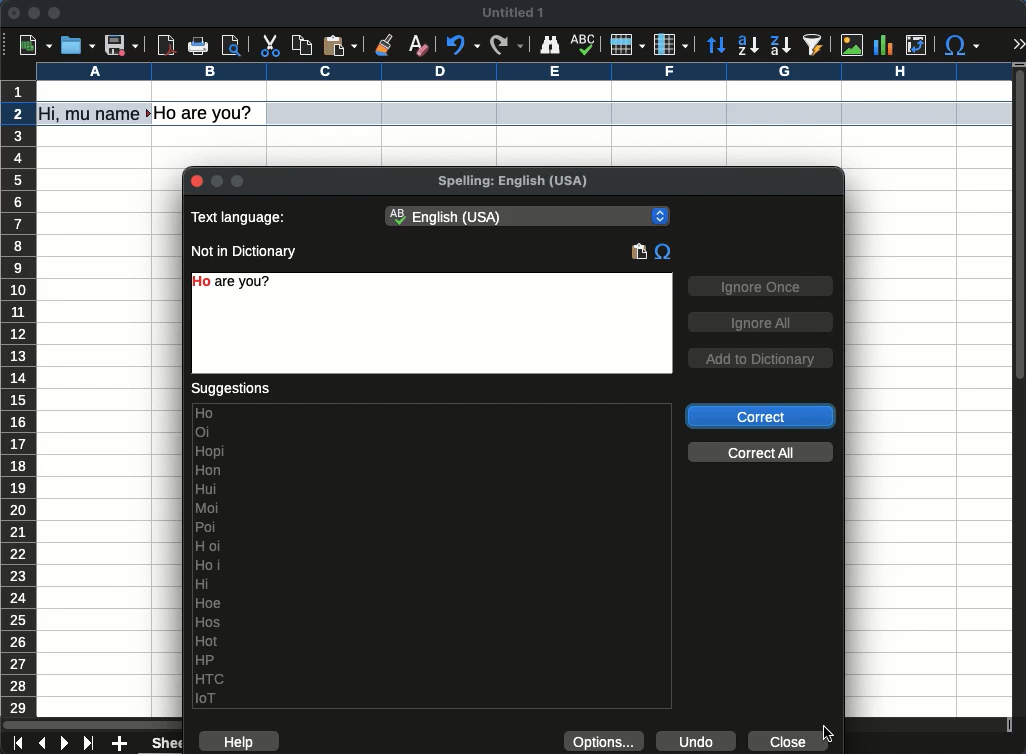  What do you see at coordinates (302, 46) in the screenshot?
I see `copy` at bounding box center [302, 46].